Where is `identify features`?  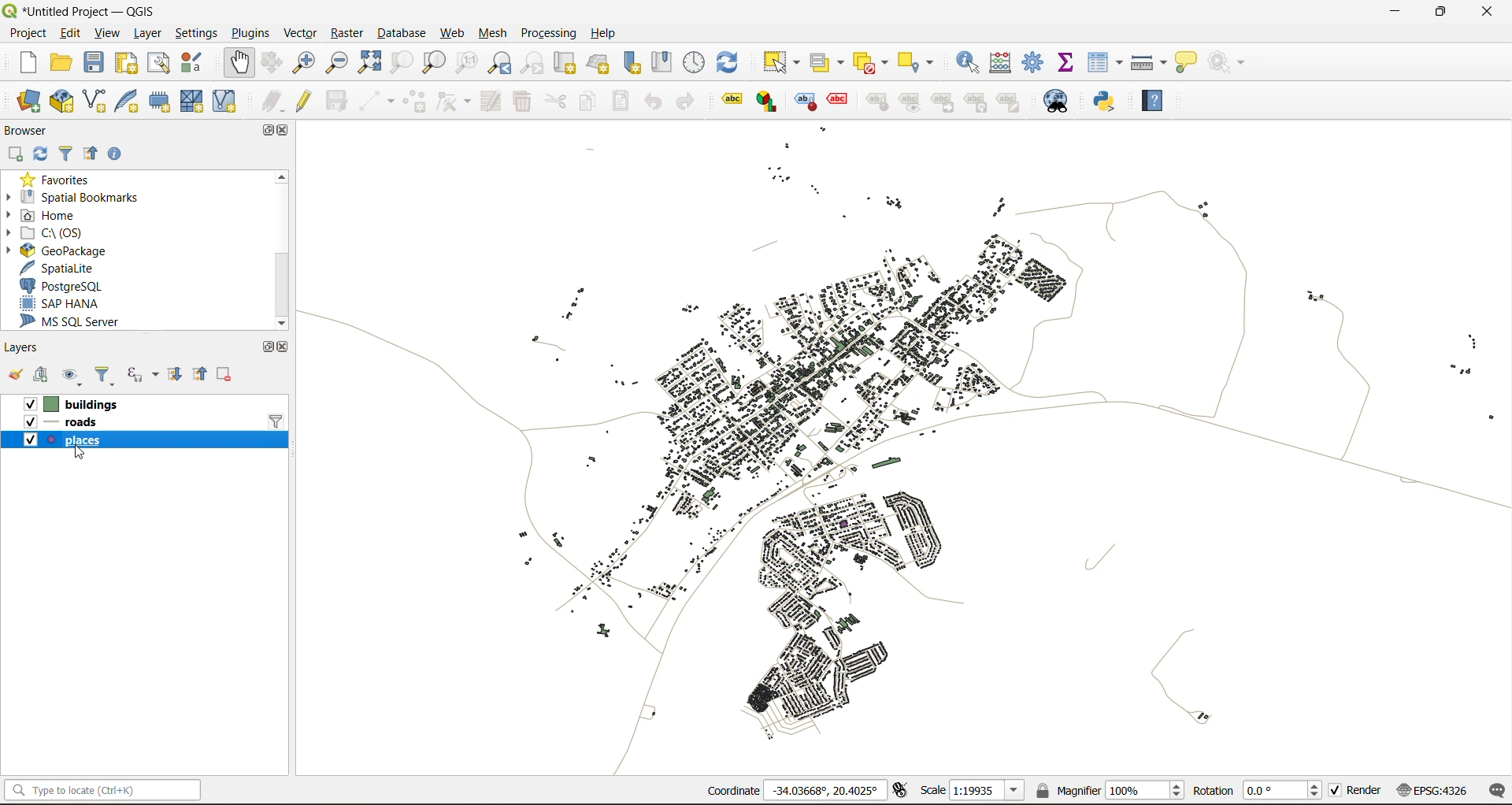
identify features is located at coordinates (972, 61).